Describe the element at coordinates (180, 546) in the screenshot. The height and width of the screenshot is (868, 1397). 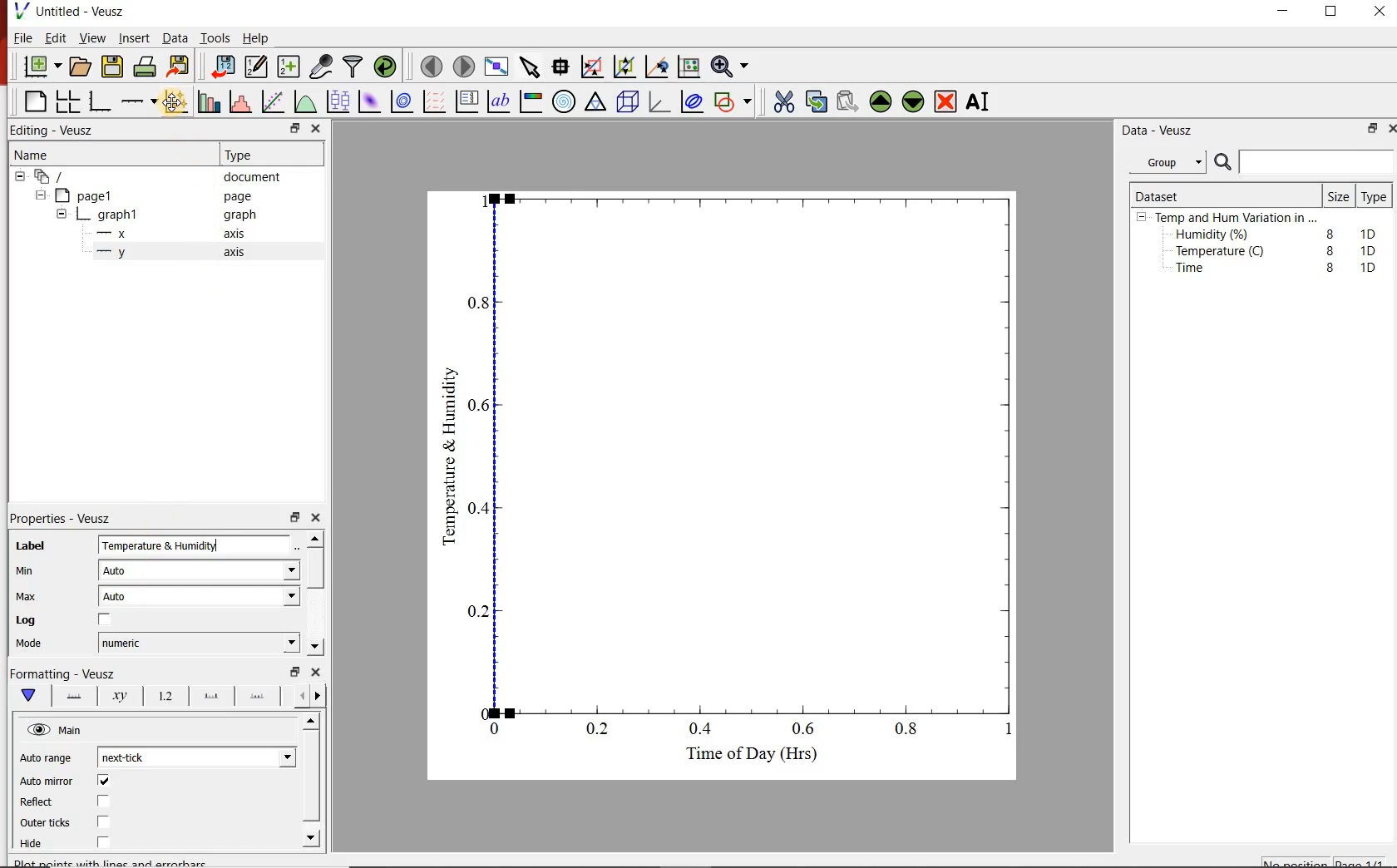
I see `Temperature & Humidity` at that location.